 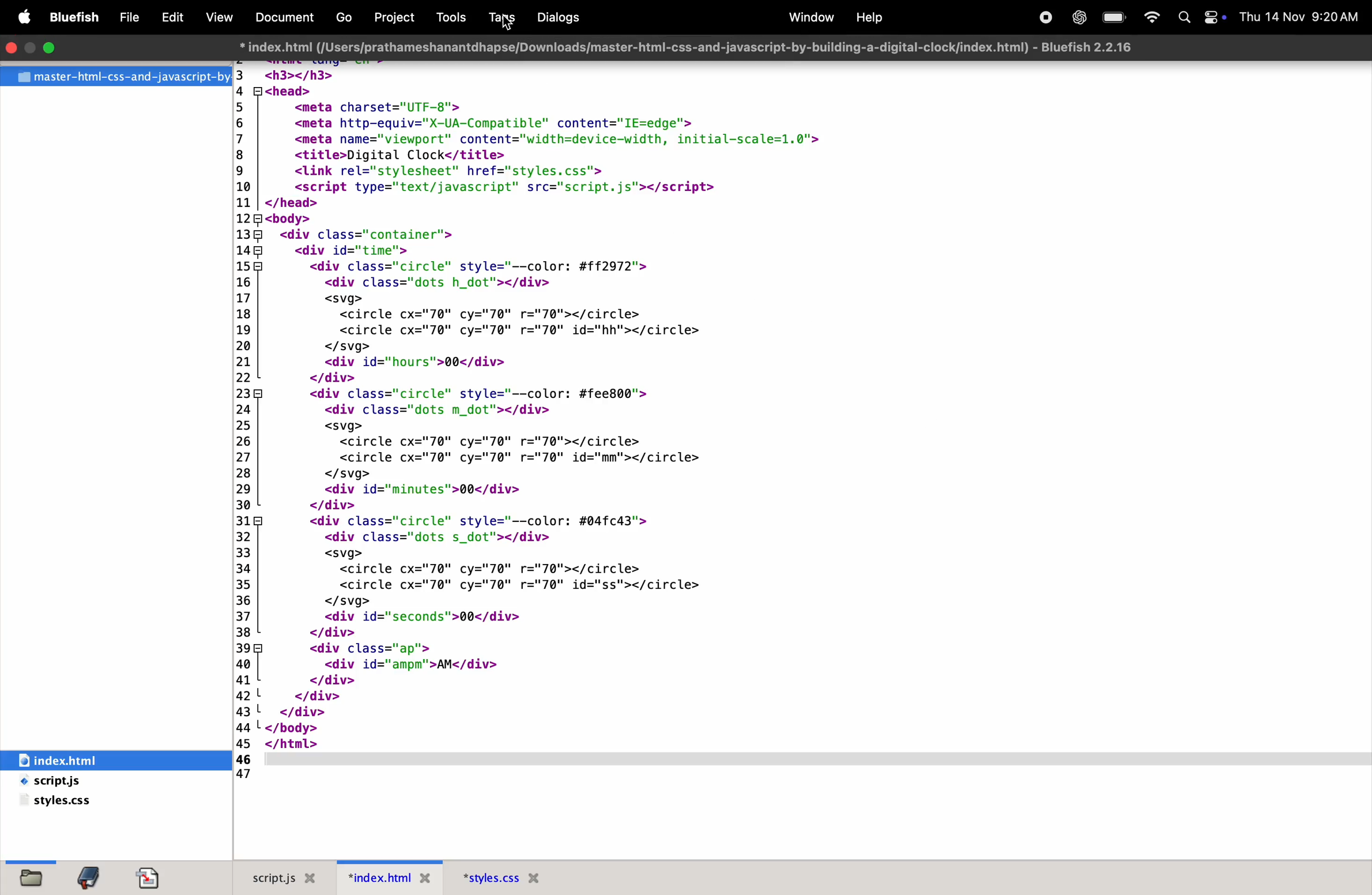 I want to click on cursor, so click(x=507, y=23).